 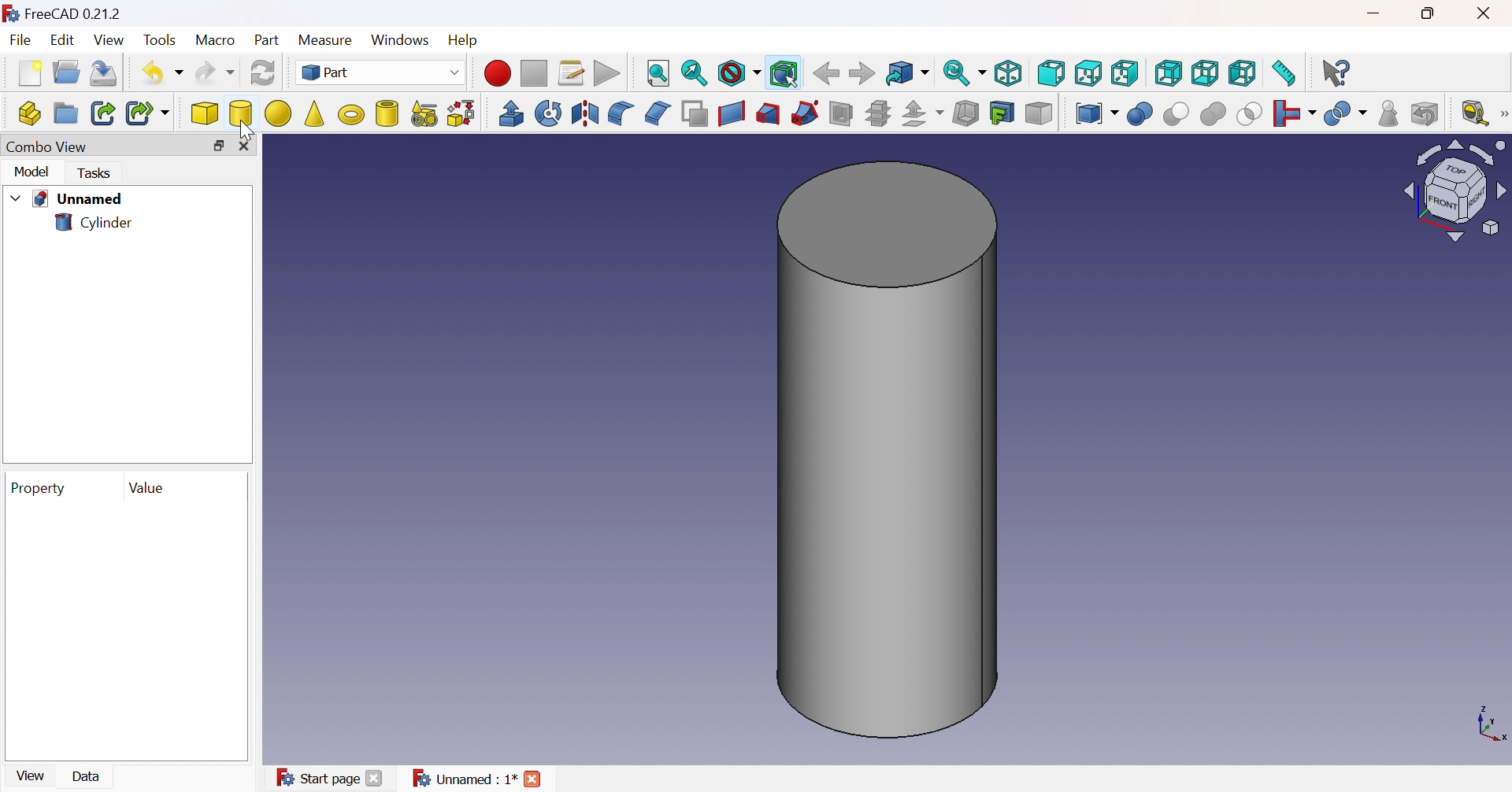 I want to click on x, y axis, so click(x=1492, y=726).